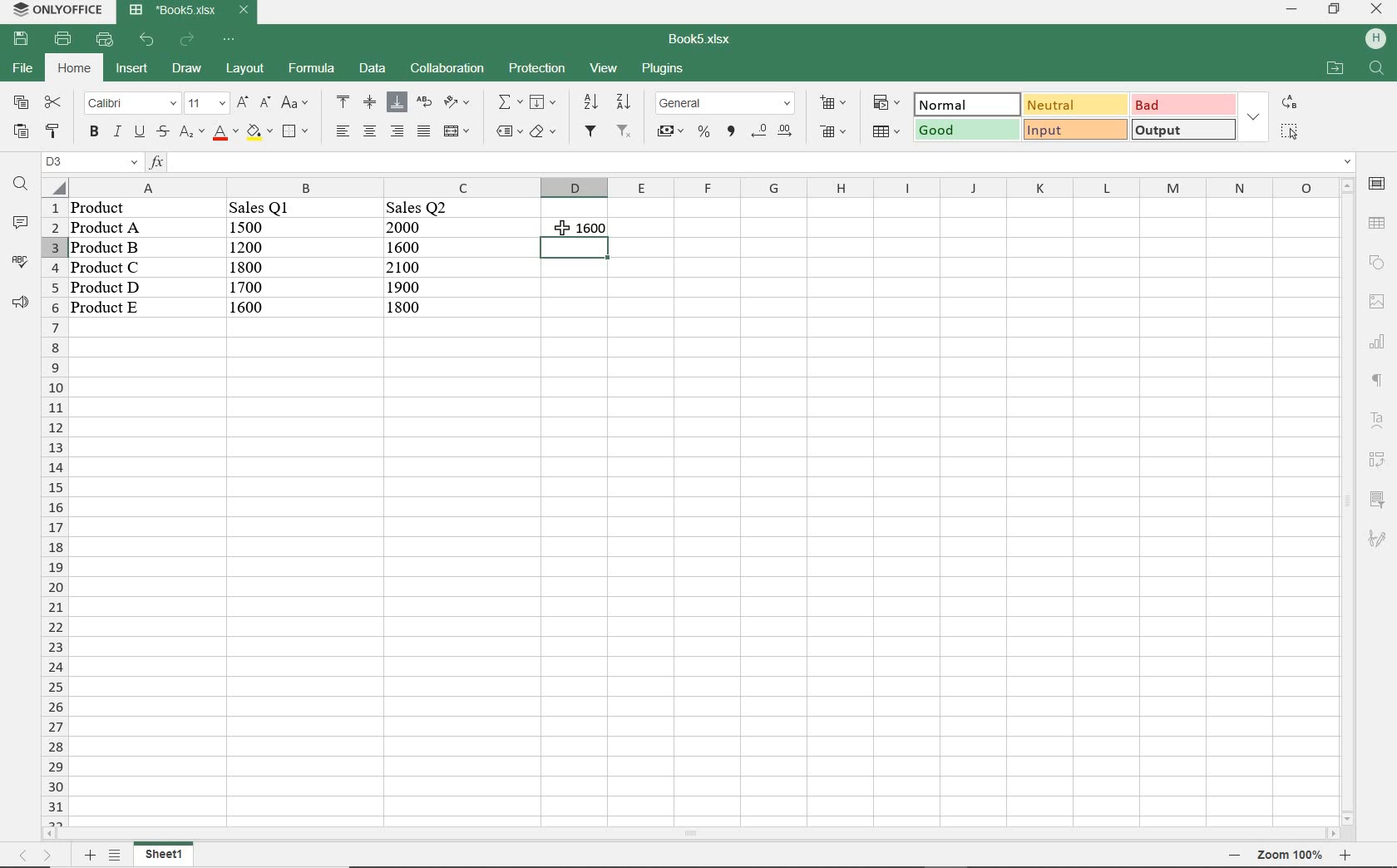 This screenshot has width=1397, height=868. Describe the element at coordinates (1291, 104) in the screenshot. I see `replace` at that location.